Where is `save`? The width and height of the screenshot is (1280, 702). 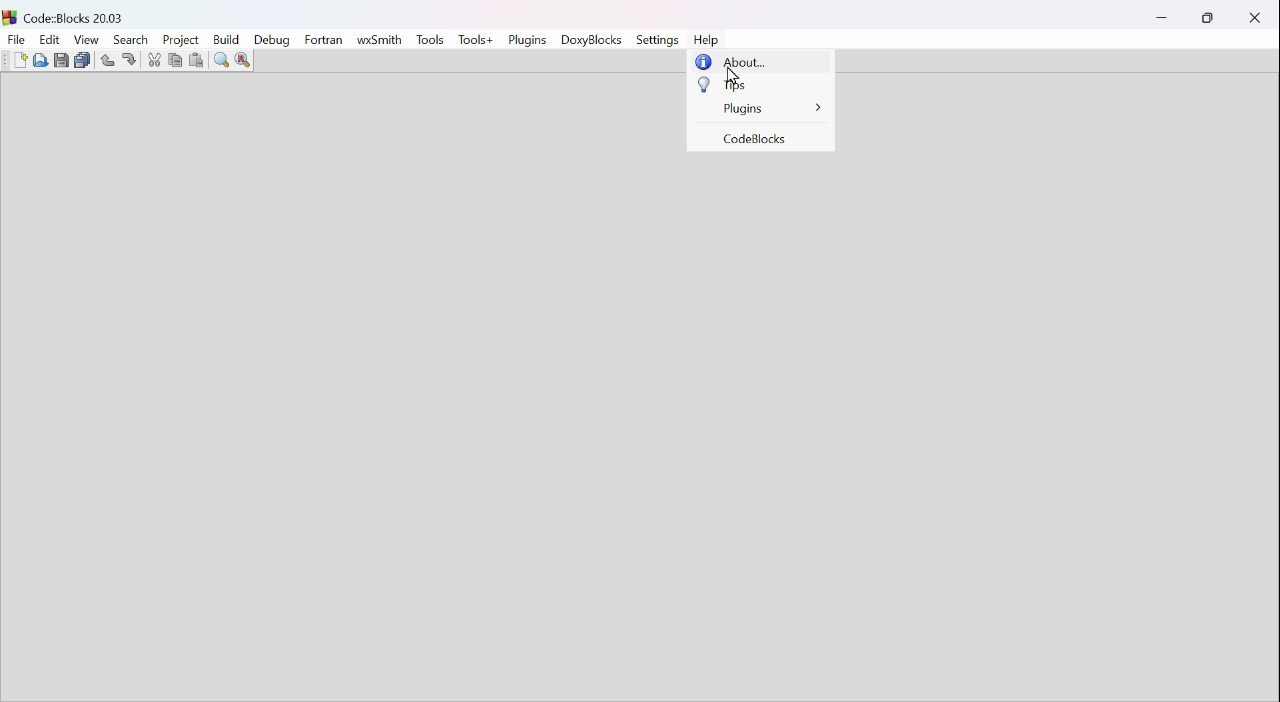
save is located at coordinates (58, 59).